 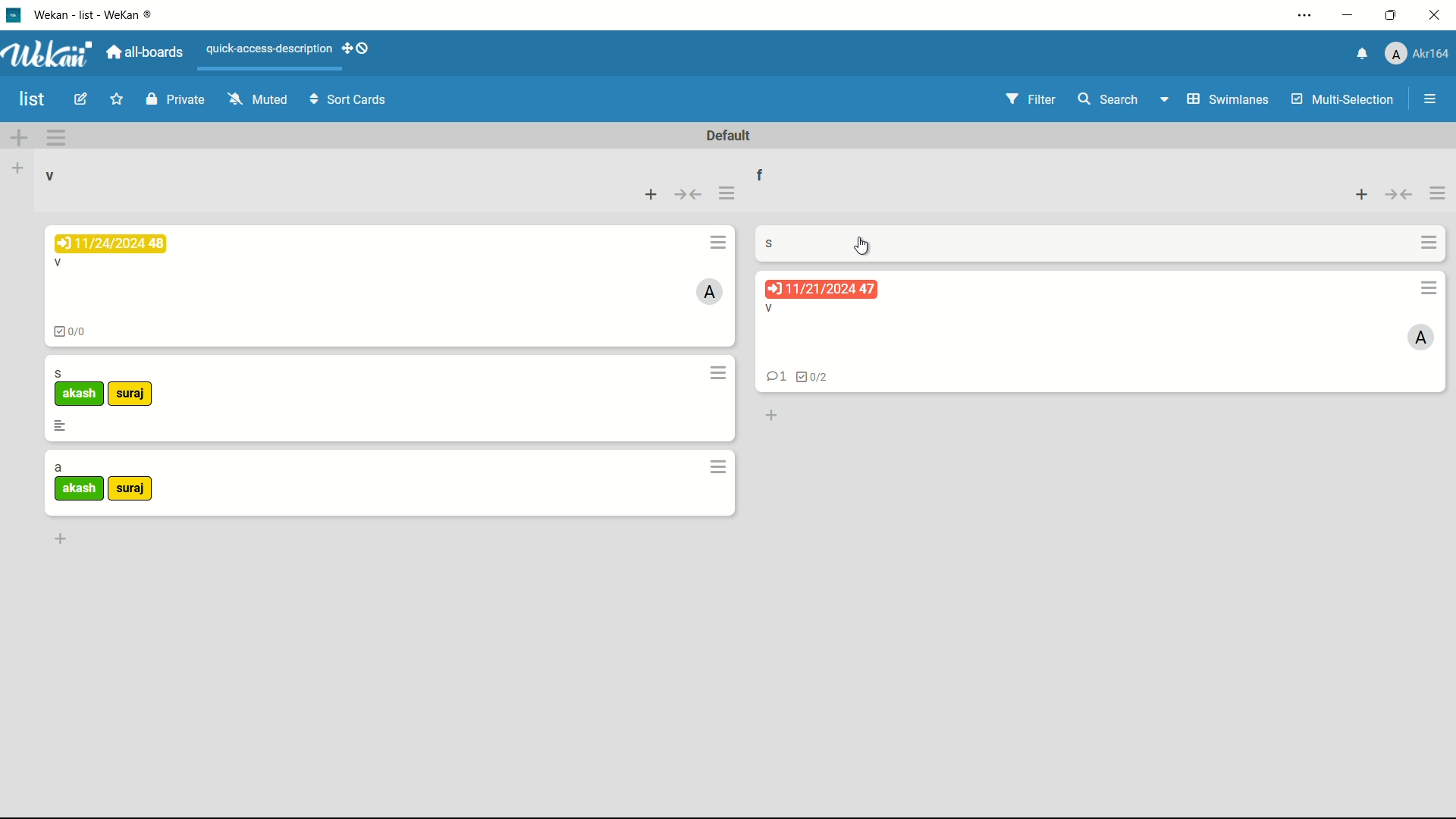 What do you see at coordinates (1420, 338) in the screenshot?
I see `admin` at bounding box center [1420, 338].